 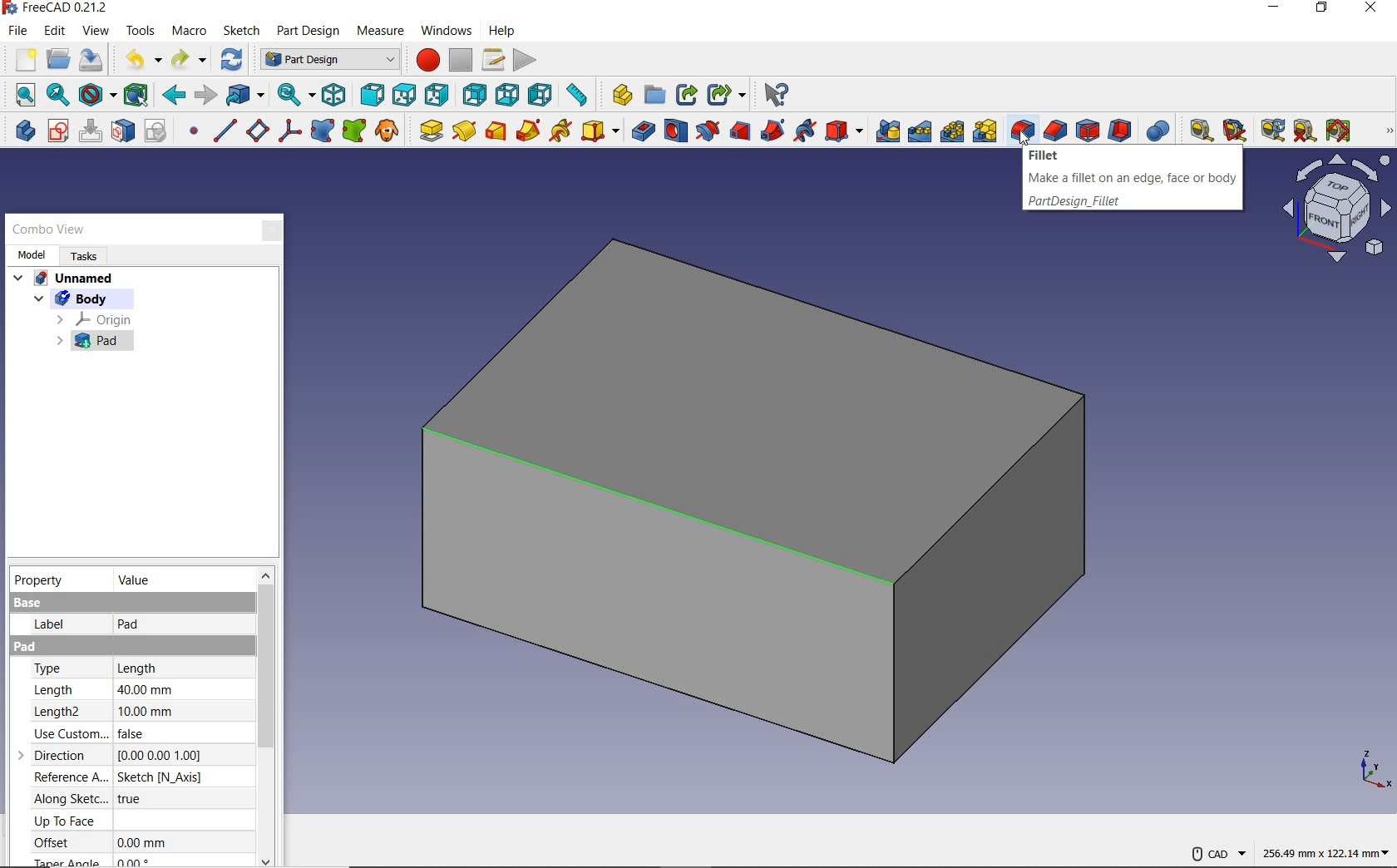 I want to click on file, so click(x=19, y=32).